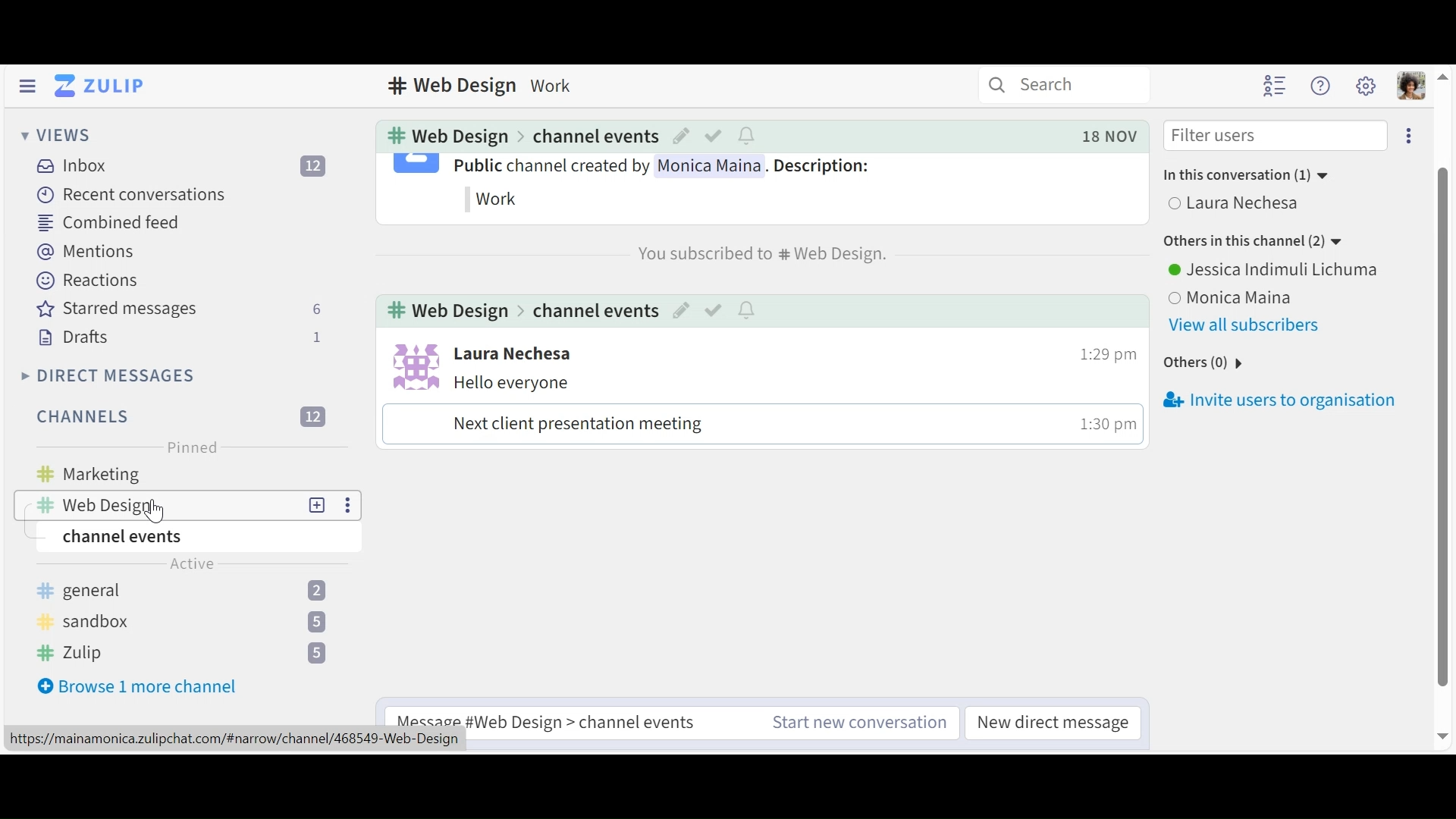 The image size is (1456, 819). What do you see at coordinates (1102, 353) in the screenshot?
I see `1:29 pm` at bounding box center [1102, 353].